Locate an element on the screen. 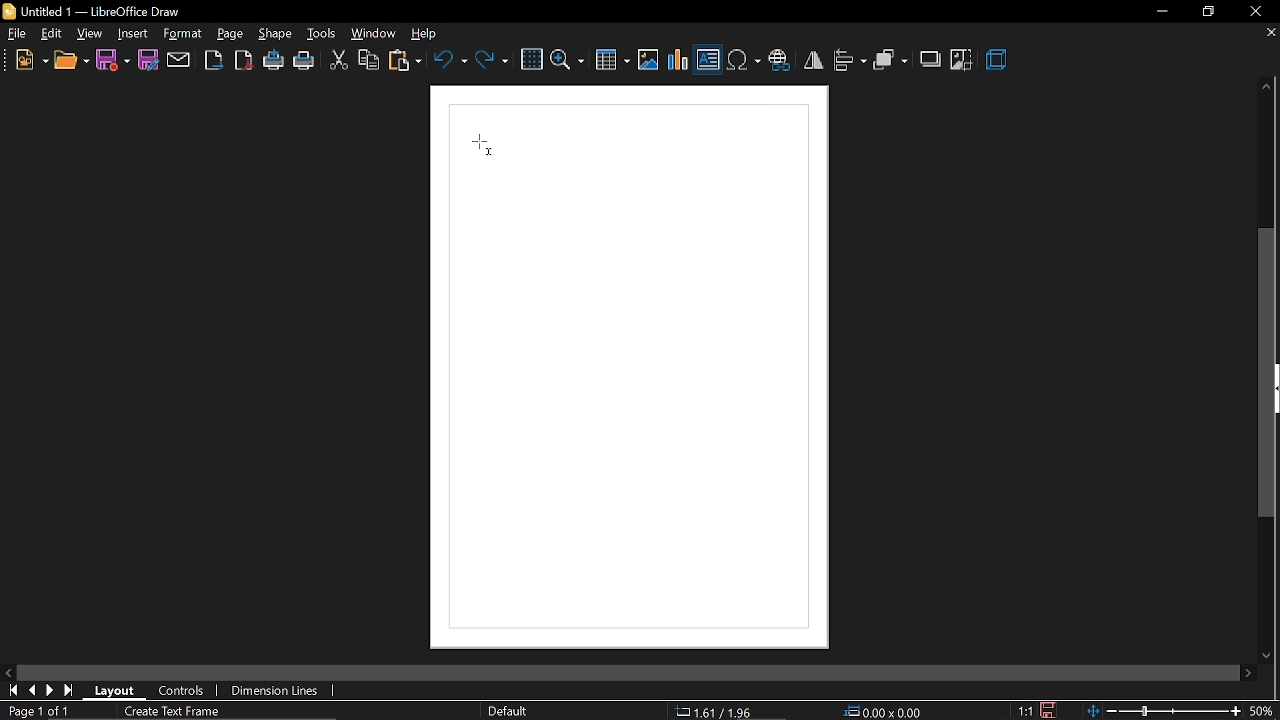 This screenshot has height=720, width=1280. save is located at coordinates (113, 59).